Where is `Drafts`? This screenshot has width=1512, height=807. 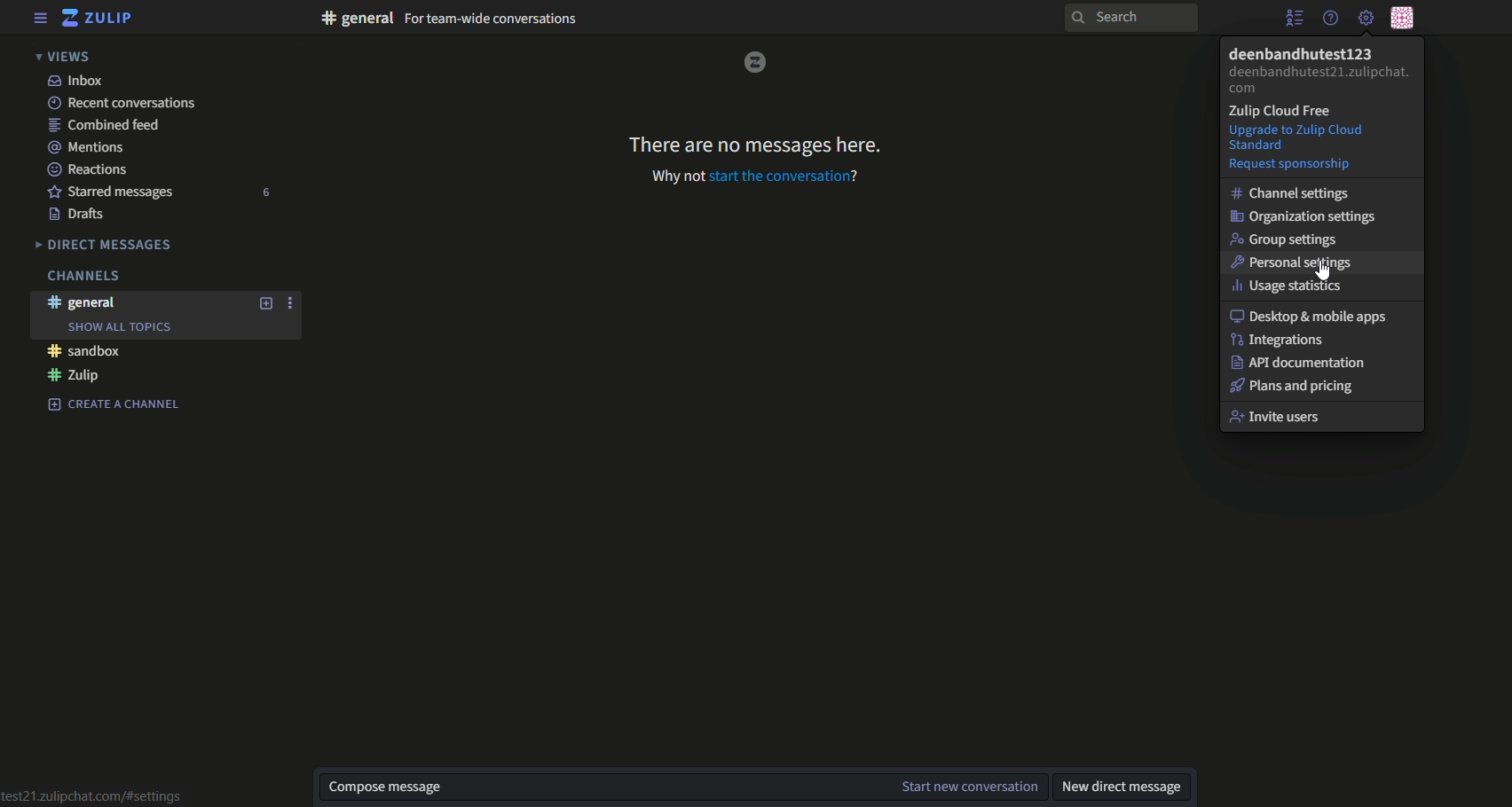 Drafts is located at coordinates (81, 215).